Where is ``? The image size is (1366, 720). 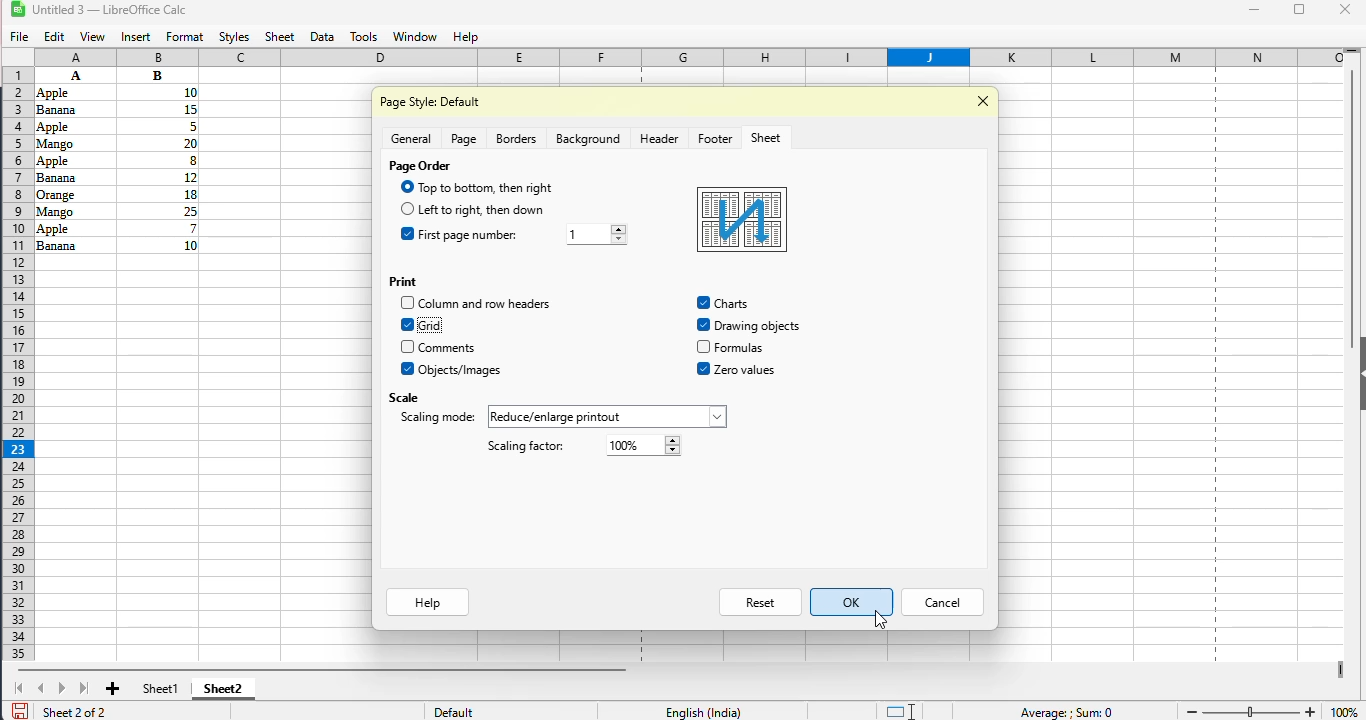
 is located at coordinates (599, 234).